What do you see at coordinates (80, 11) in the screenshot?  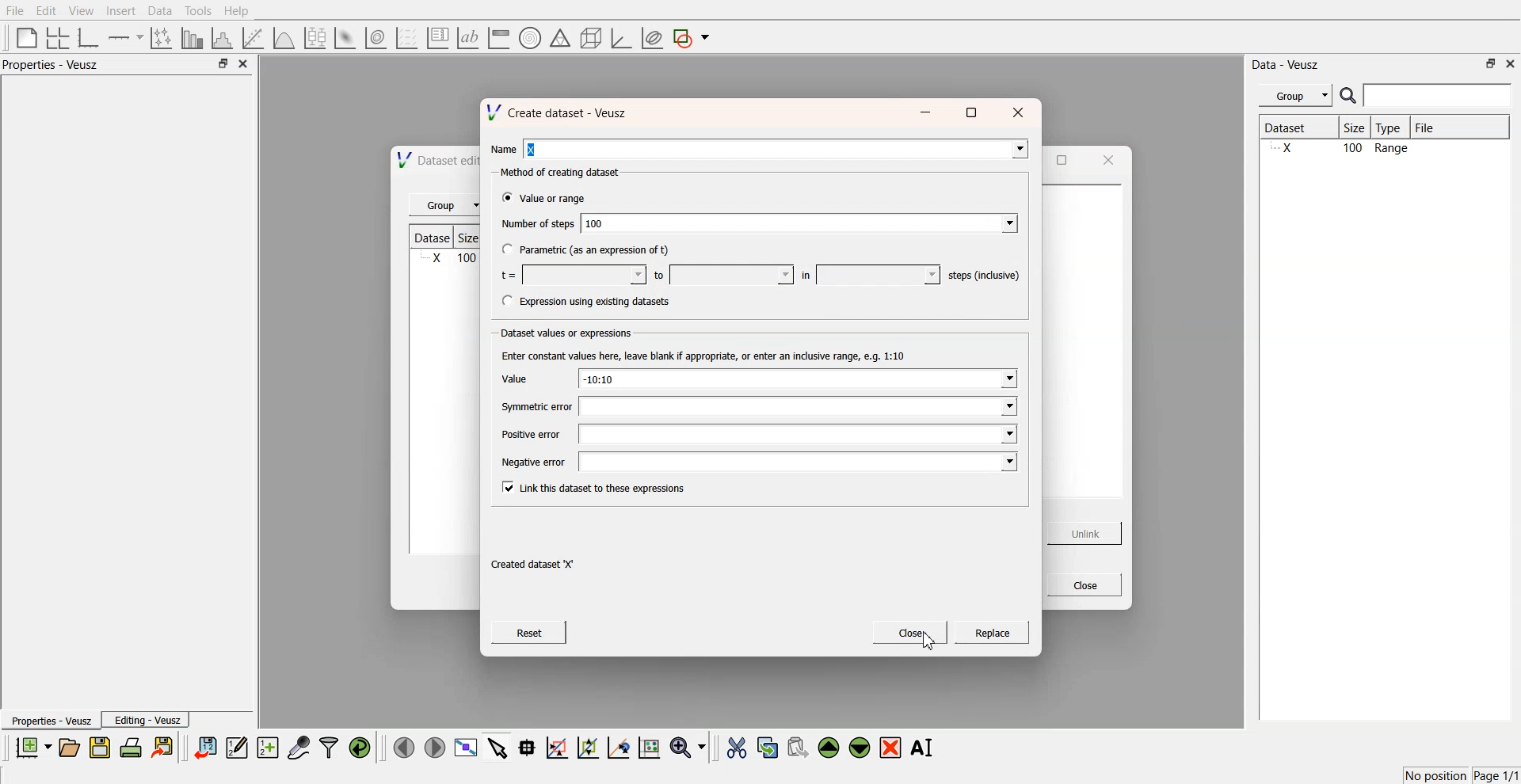 I see `View` at bounding box center [80, 11].